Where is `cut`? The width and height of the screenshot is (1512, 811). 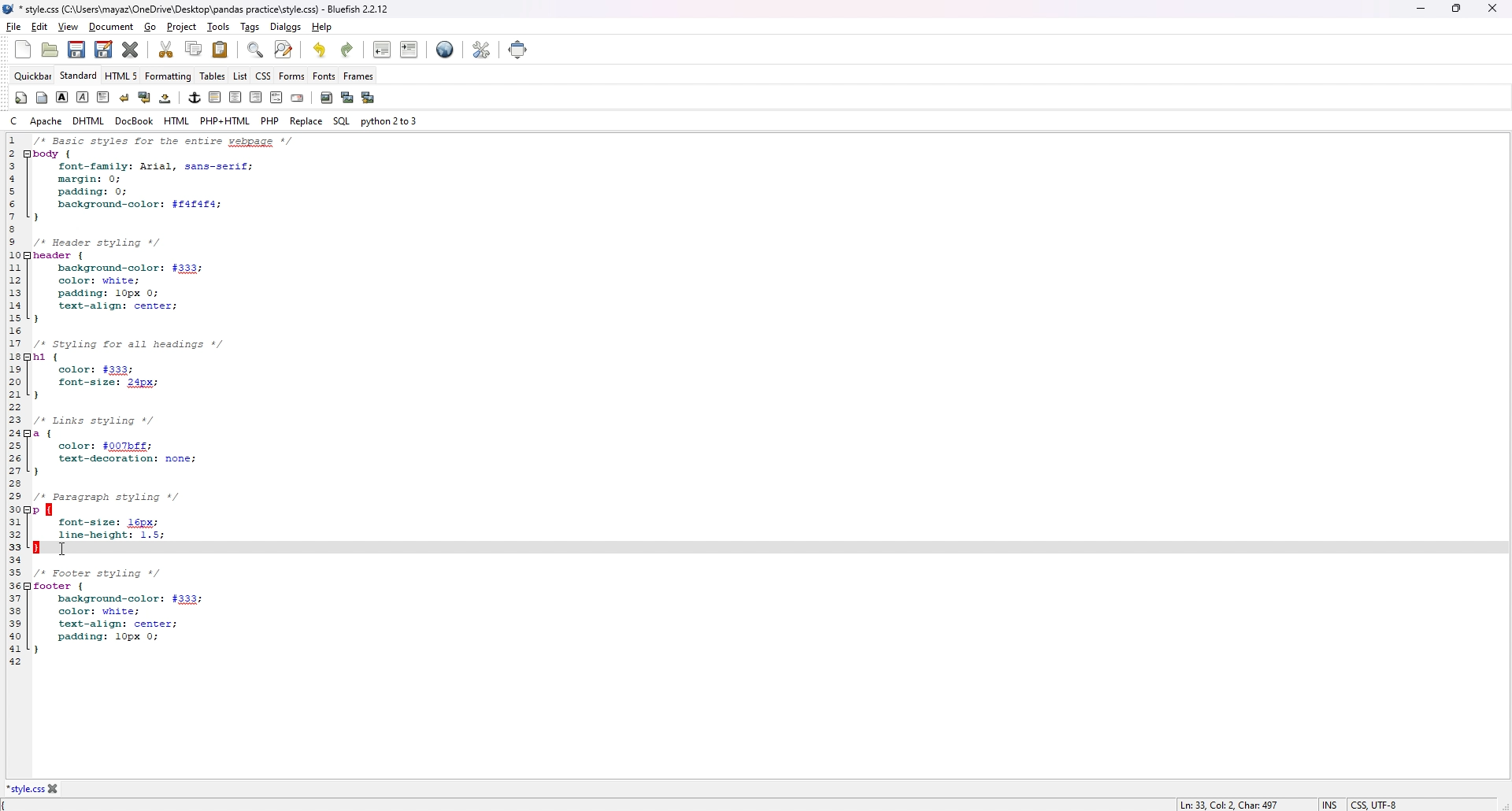
cut is located at coordinates (166, 48).